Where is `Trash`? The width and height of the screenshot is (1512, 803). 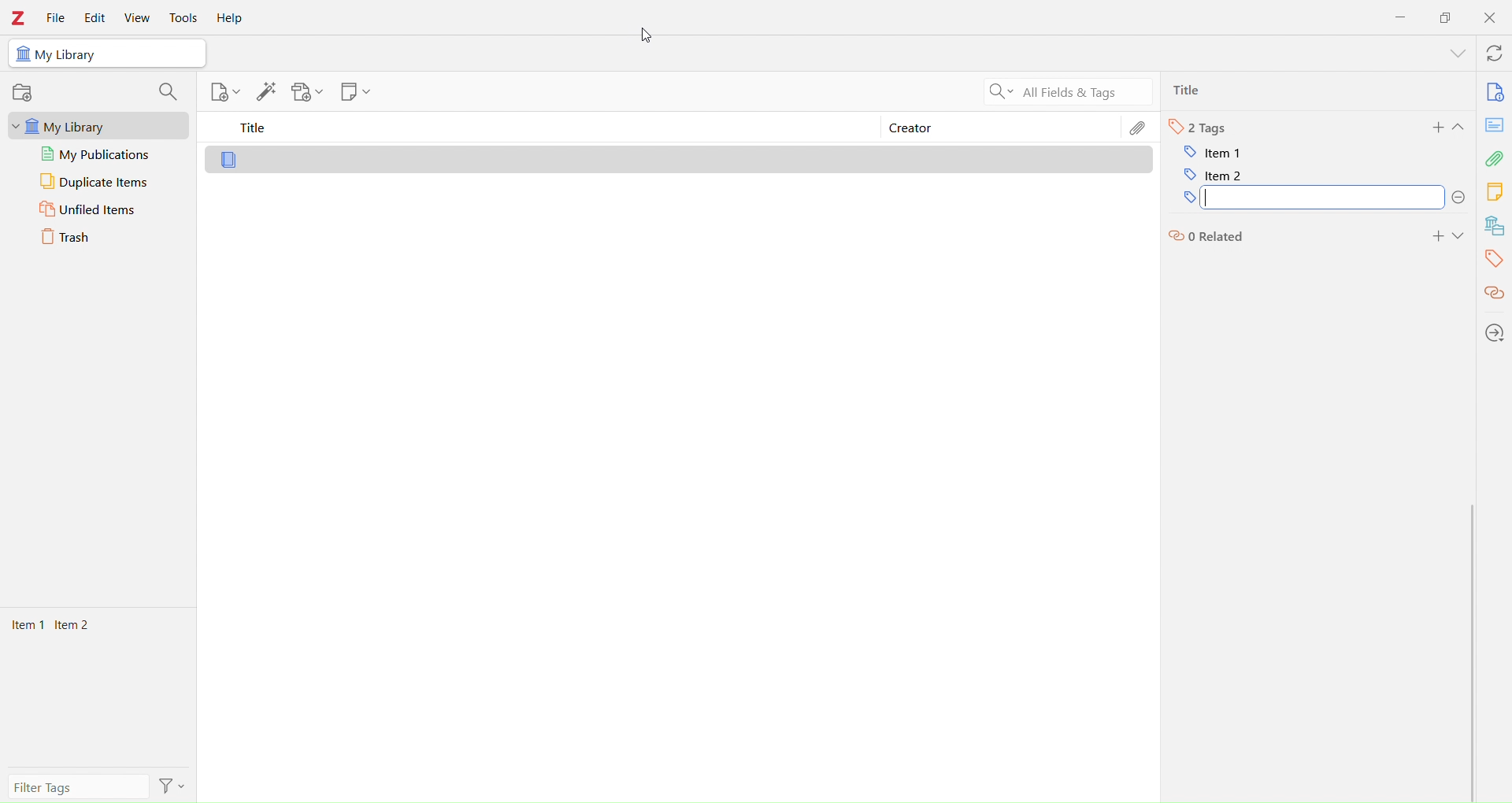 Trash is located at coordinates (65, 236).